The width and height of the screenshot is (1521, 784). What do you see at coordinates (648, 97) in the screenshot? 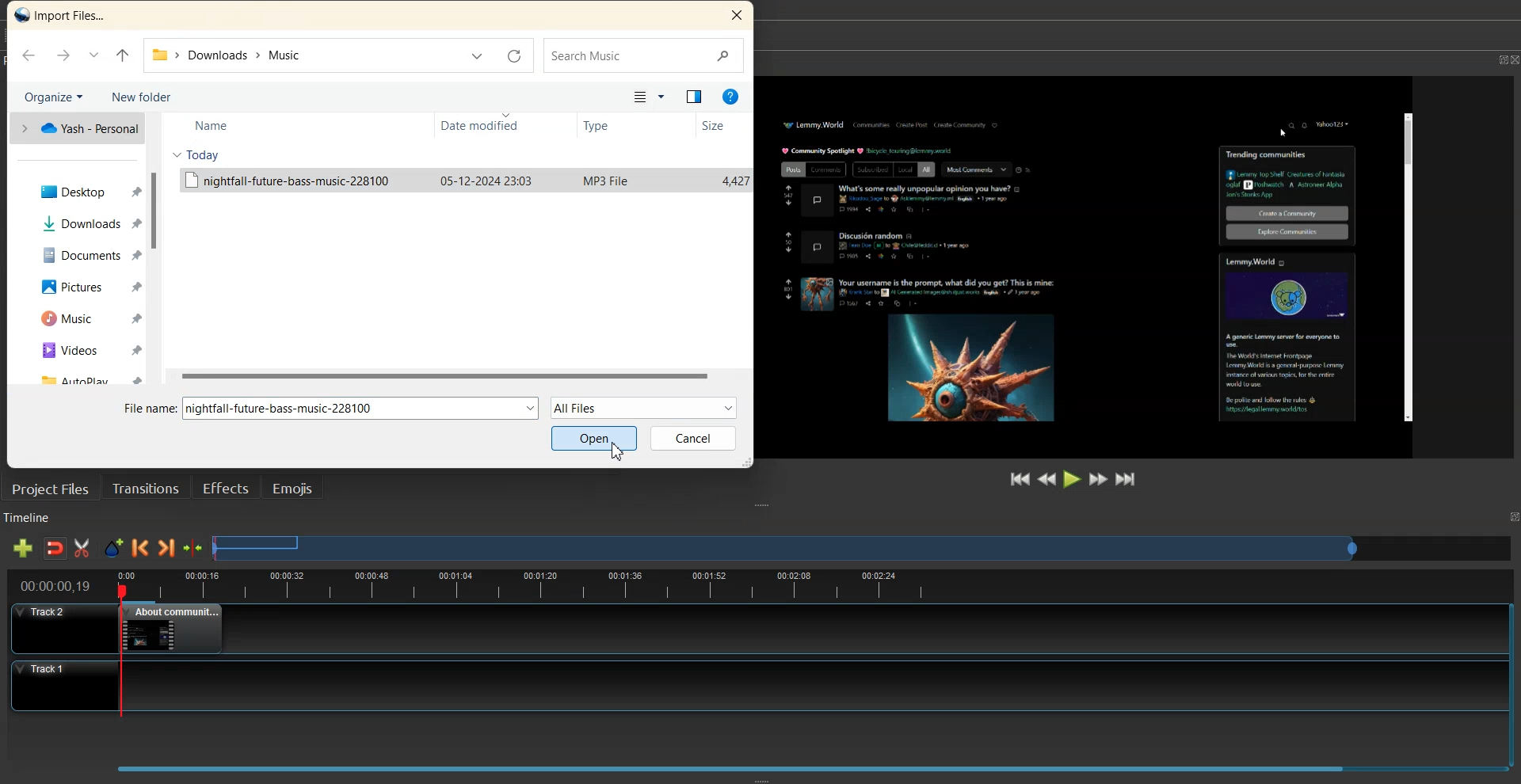
I see `Change your view` at bounding box center [648, 97].